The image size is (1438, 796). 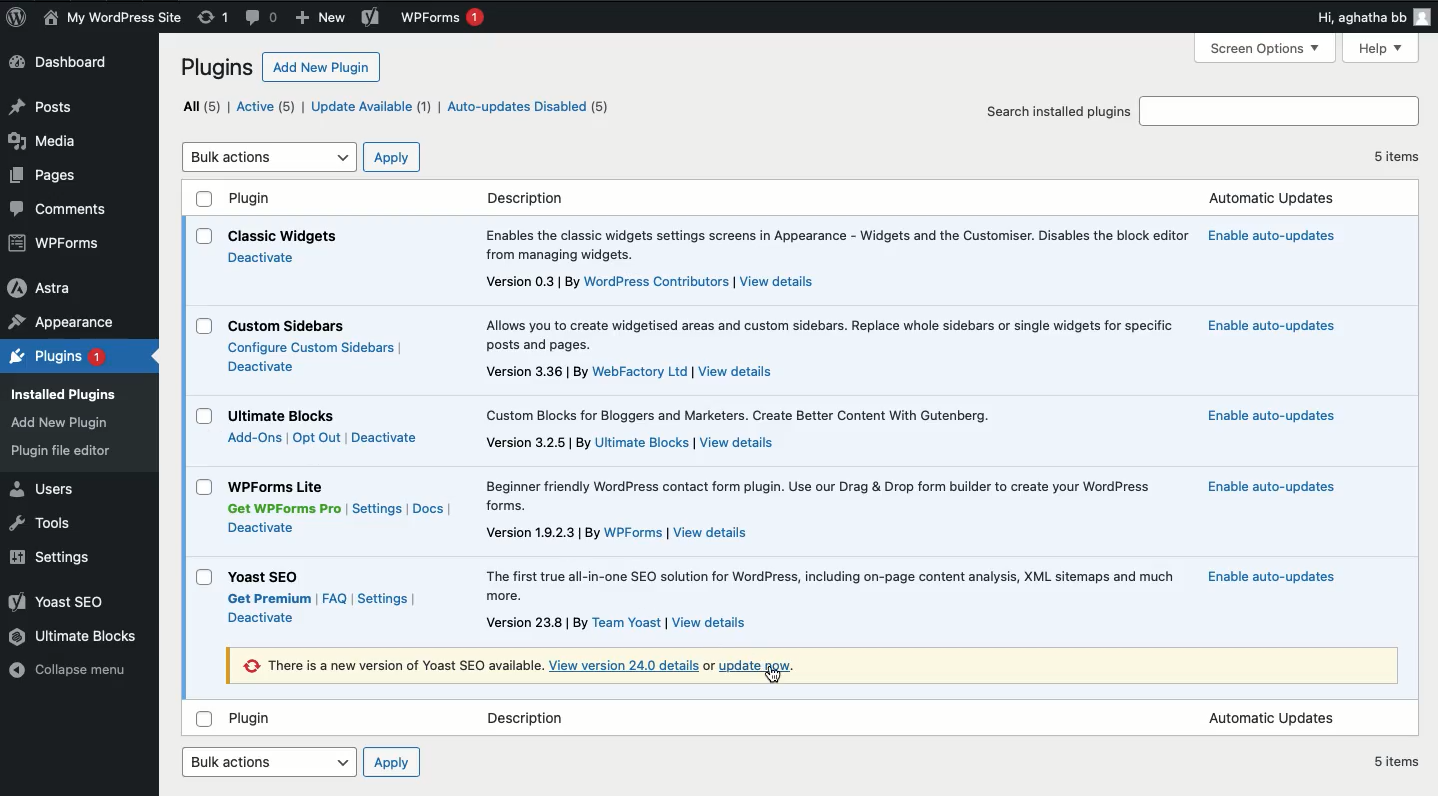 What do you see at coordinates (60, 61) in the screenshot?
I see `Dashboard` at bounding box center [60, 61].